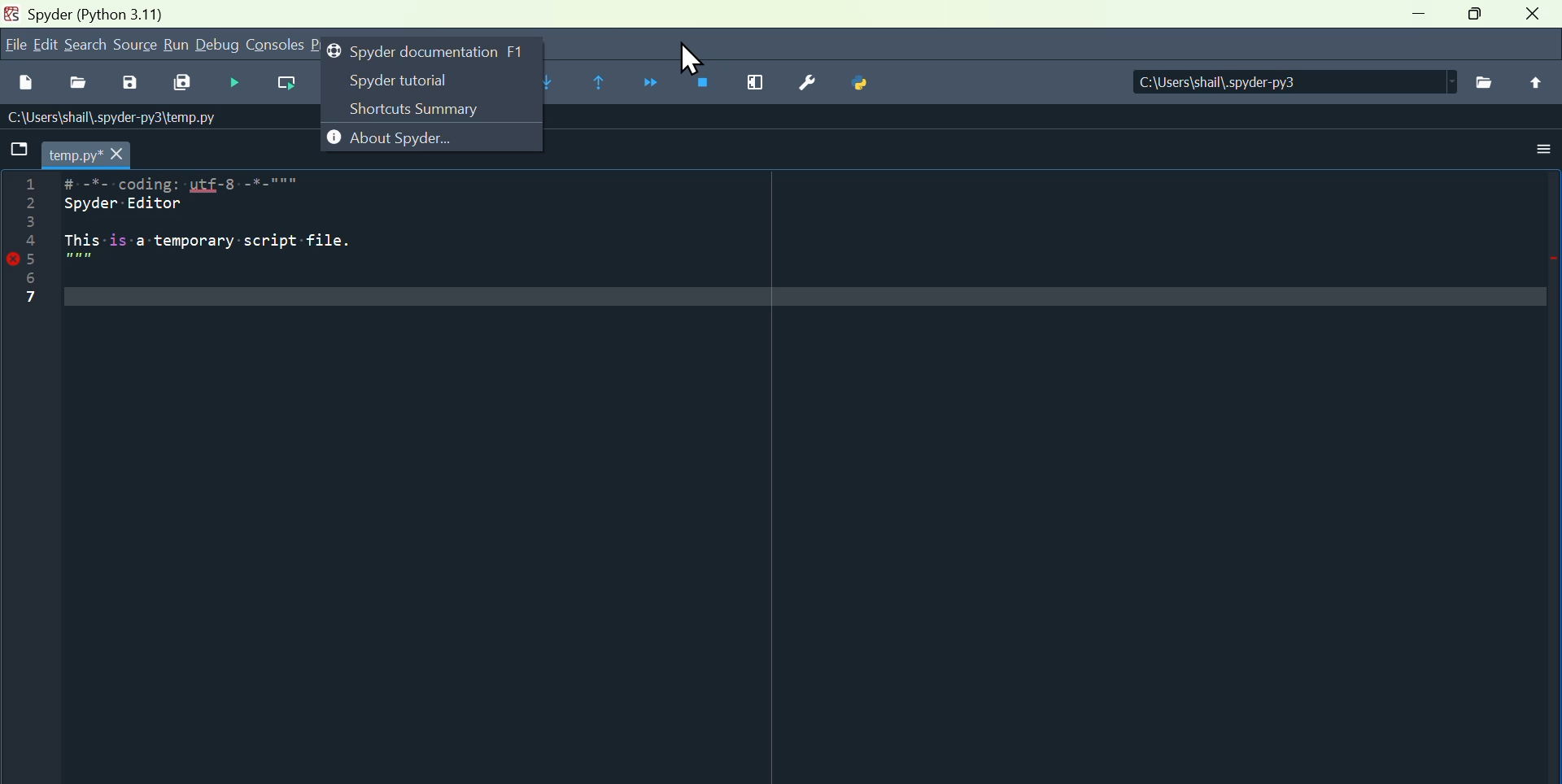 The image size is (1562, 784). I want to click on #=-%-=coding:-uLf-8=-*_-""=
Spyder Editor
This is-a temporary script file., so click(271, 237).